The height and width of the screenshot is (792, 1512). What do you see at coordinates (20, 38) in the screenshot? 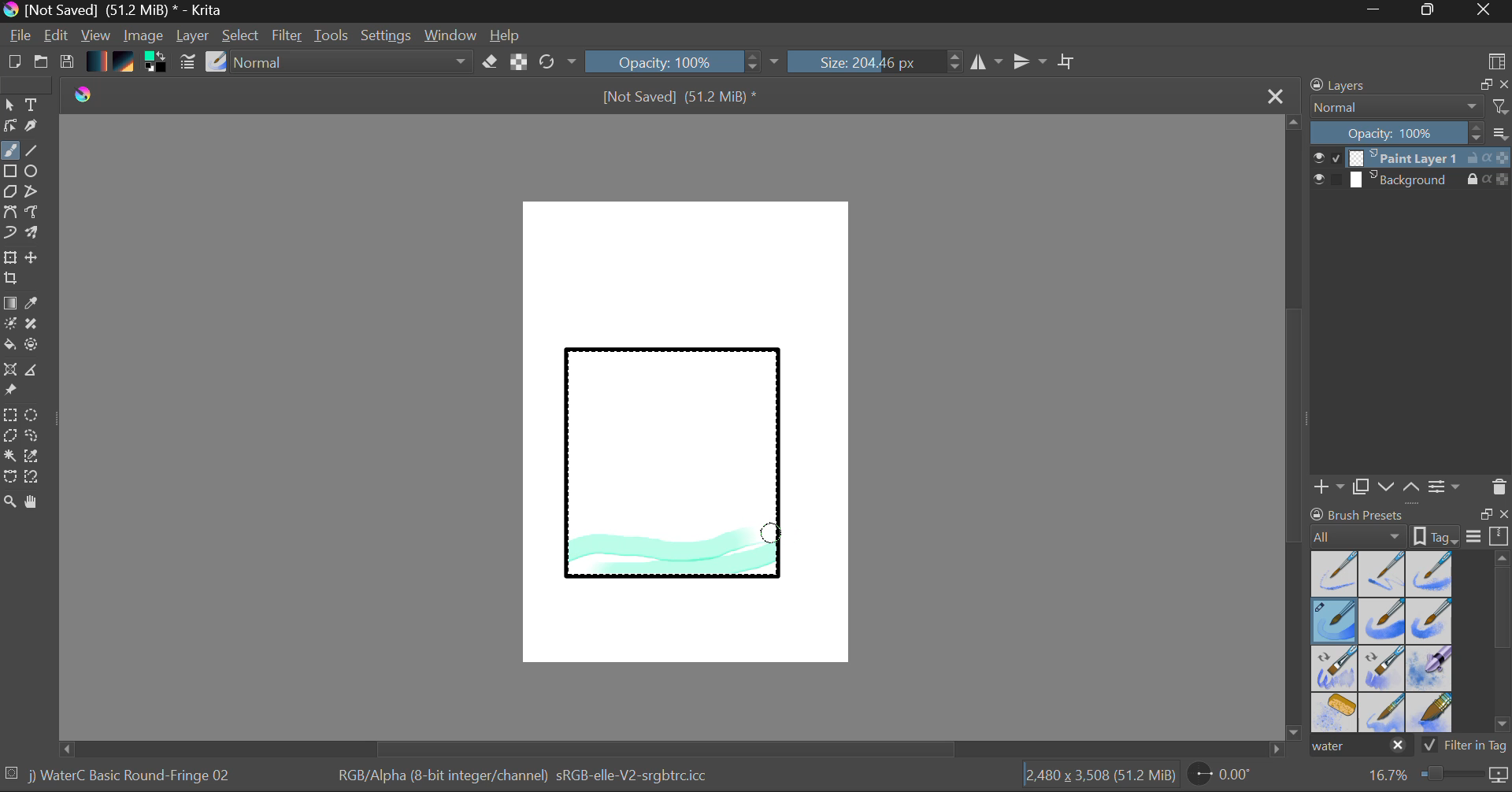
I see `File` at bounding box center [20, 38].